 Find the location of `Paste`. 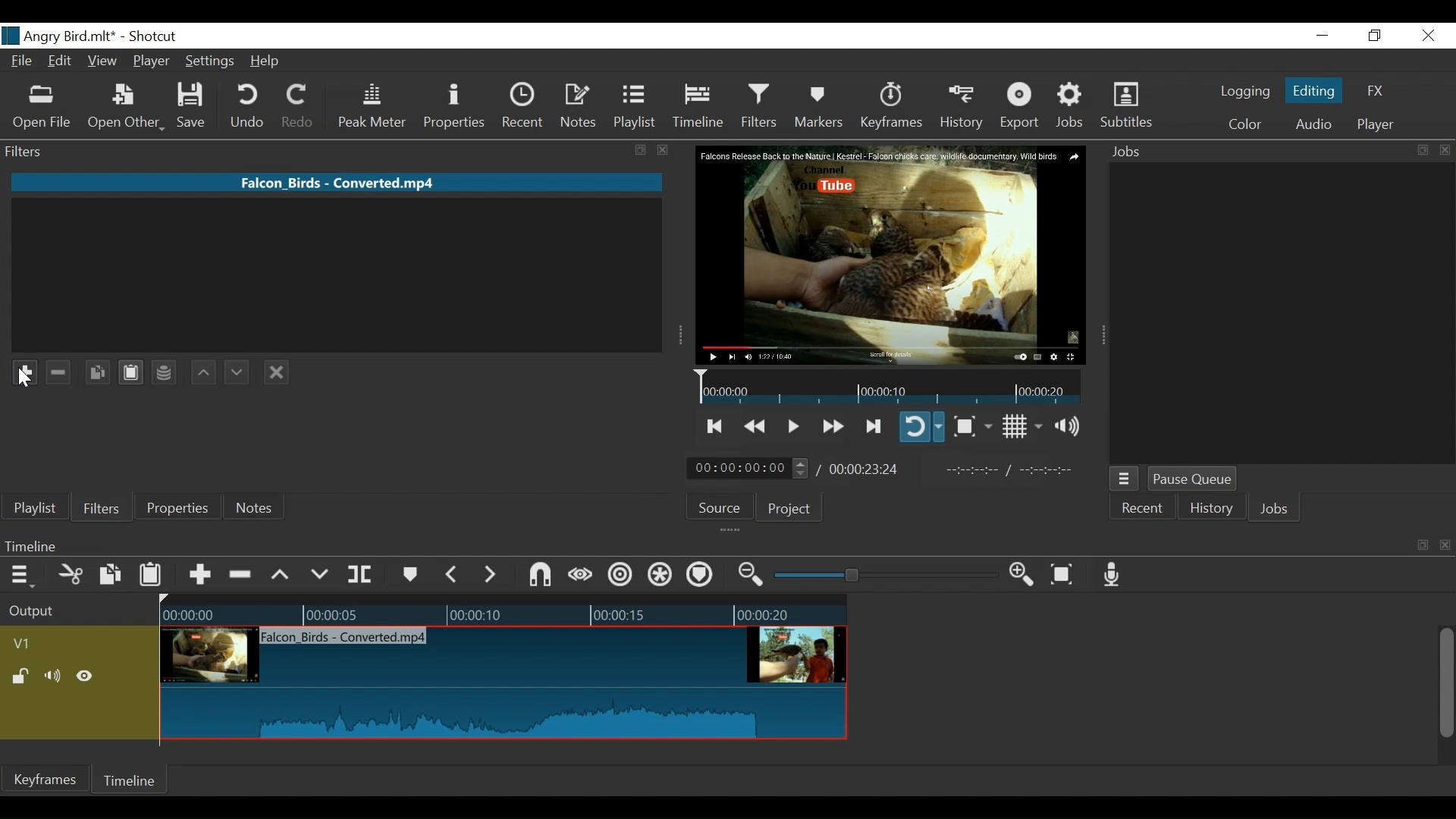

Paste is located at coordinates (152, 578).